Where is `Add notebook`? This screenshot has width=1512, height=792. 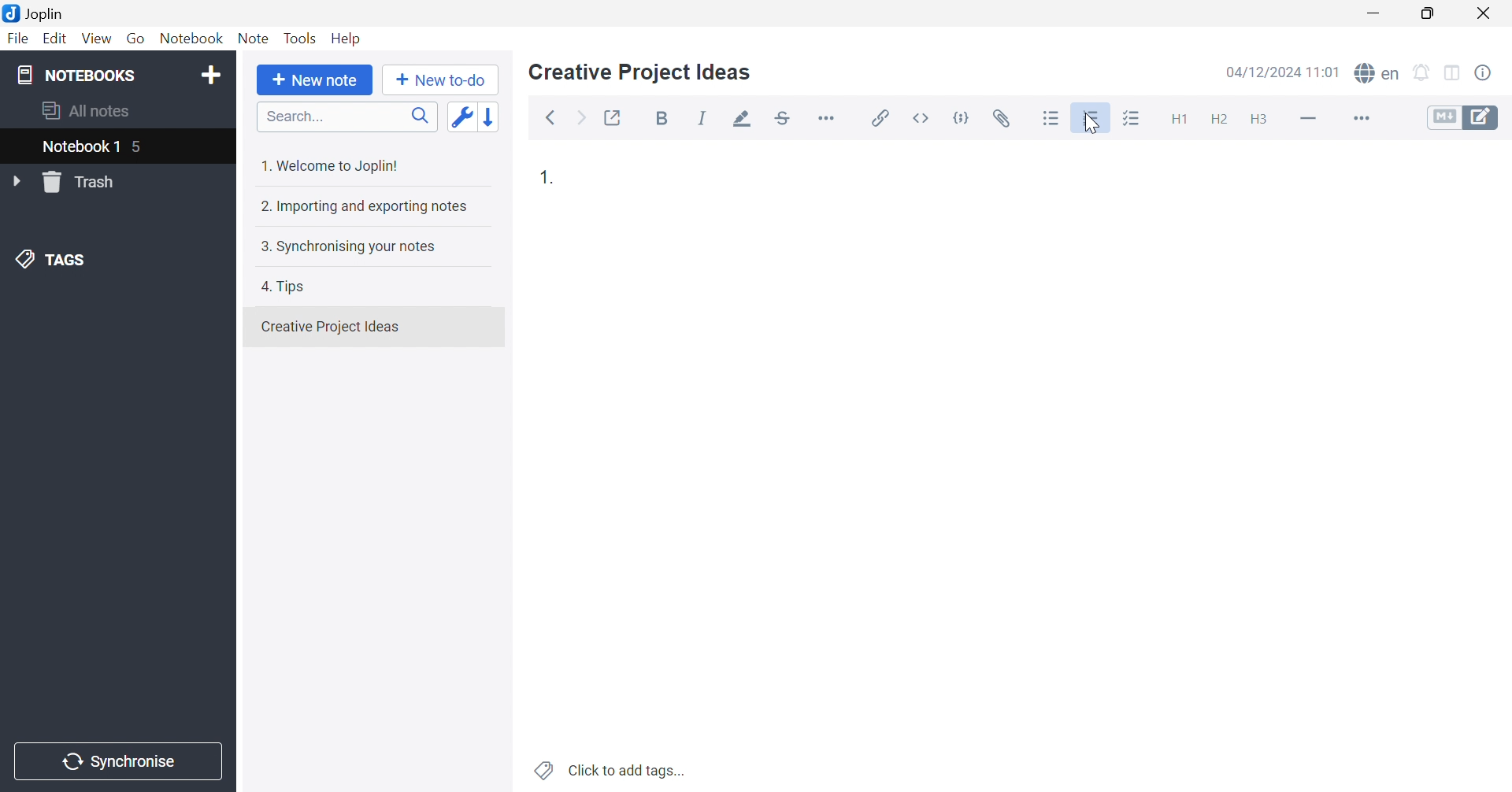
Add notebook is located at coordinates (211, 73).